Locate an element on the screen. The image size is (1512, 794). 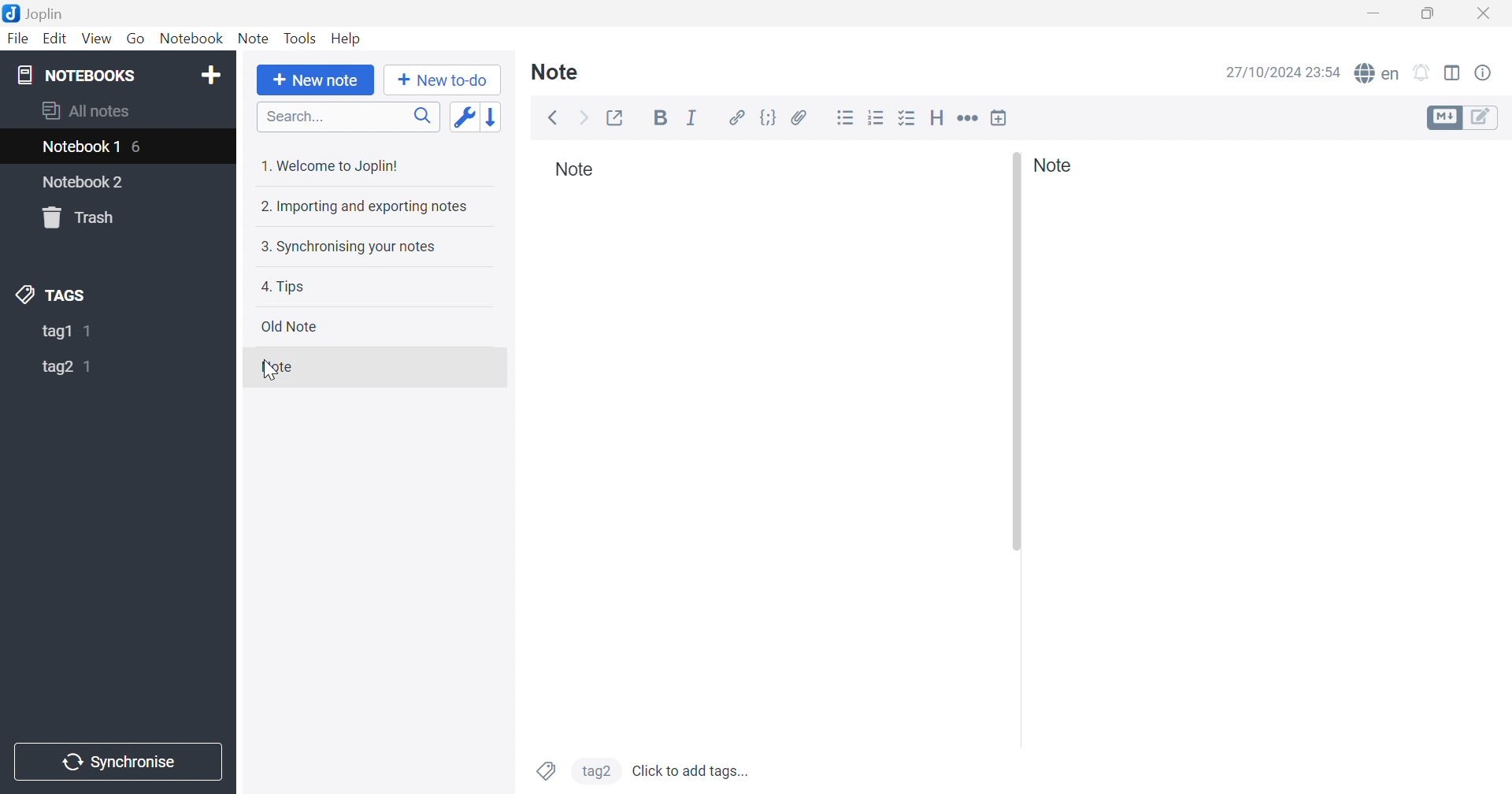
Reverse sort order is located at coordinates (495, 117).